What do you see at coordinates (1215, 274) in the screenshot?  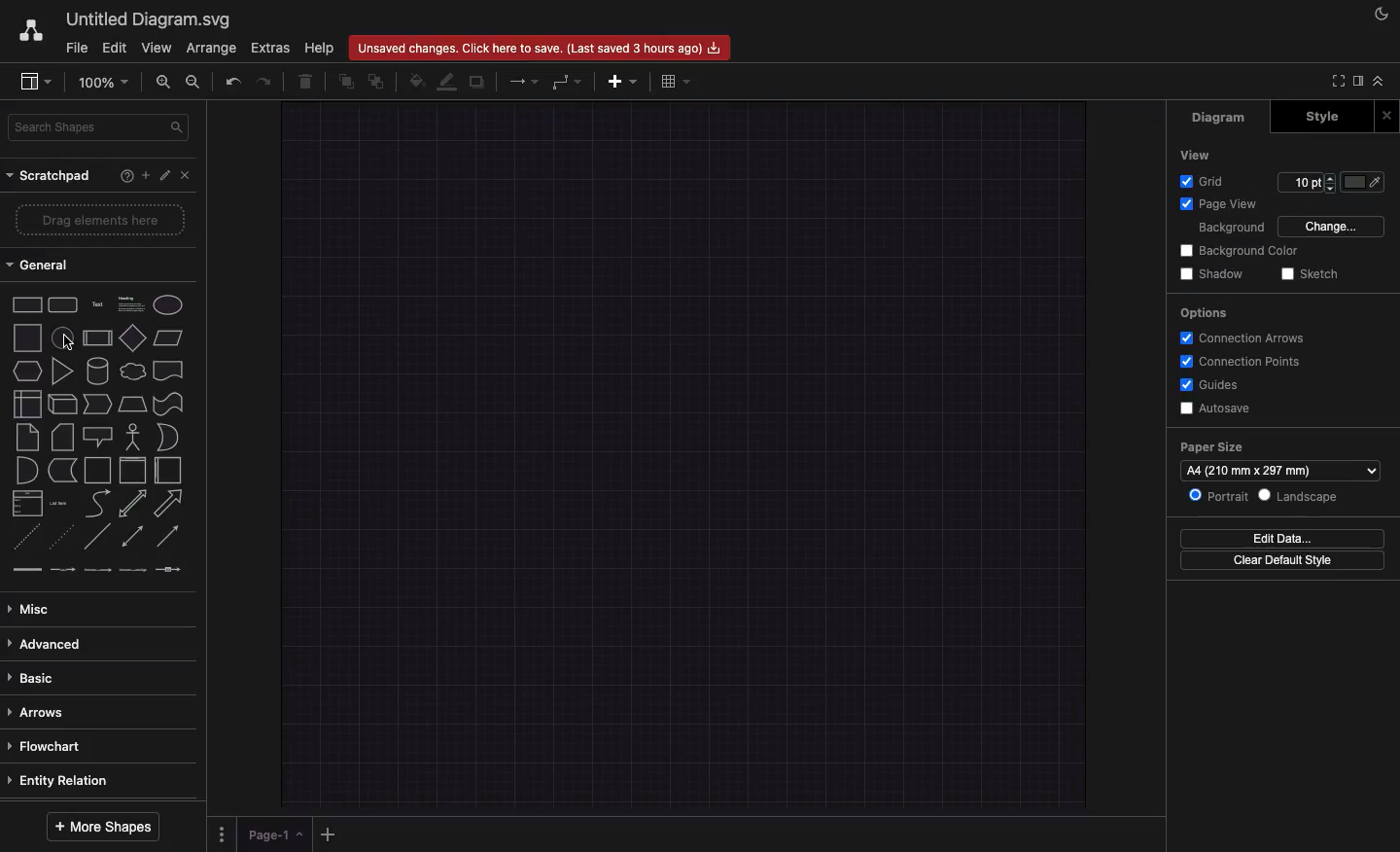 I see `Shadow` at bounding box center [1215, 274].